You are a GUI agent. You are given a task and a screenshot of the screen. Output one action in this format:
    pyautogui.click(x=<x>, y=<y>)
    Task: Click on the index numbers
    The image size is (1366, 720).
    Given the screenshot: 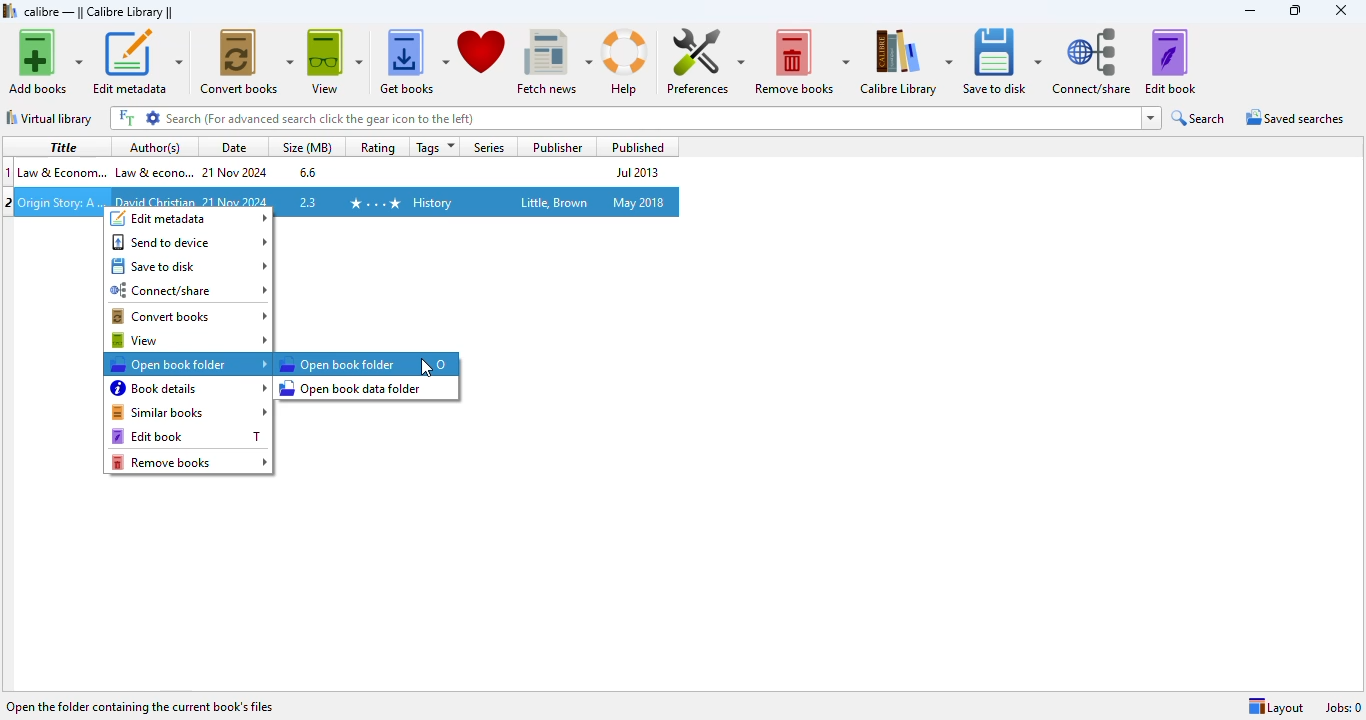 What is the action you would take?
    pyautogui.click(x=10, y=171)
    